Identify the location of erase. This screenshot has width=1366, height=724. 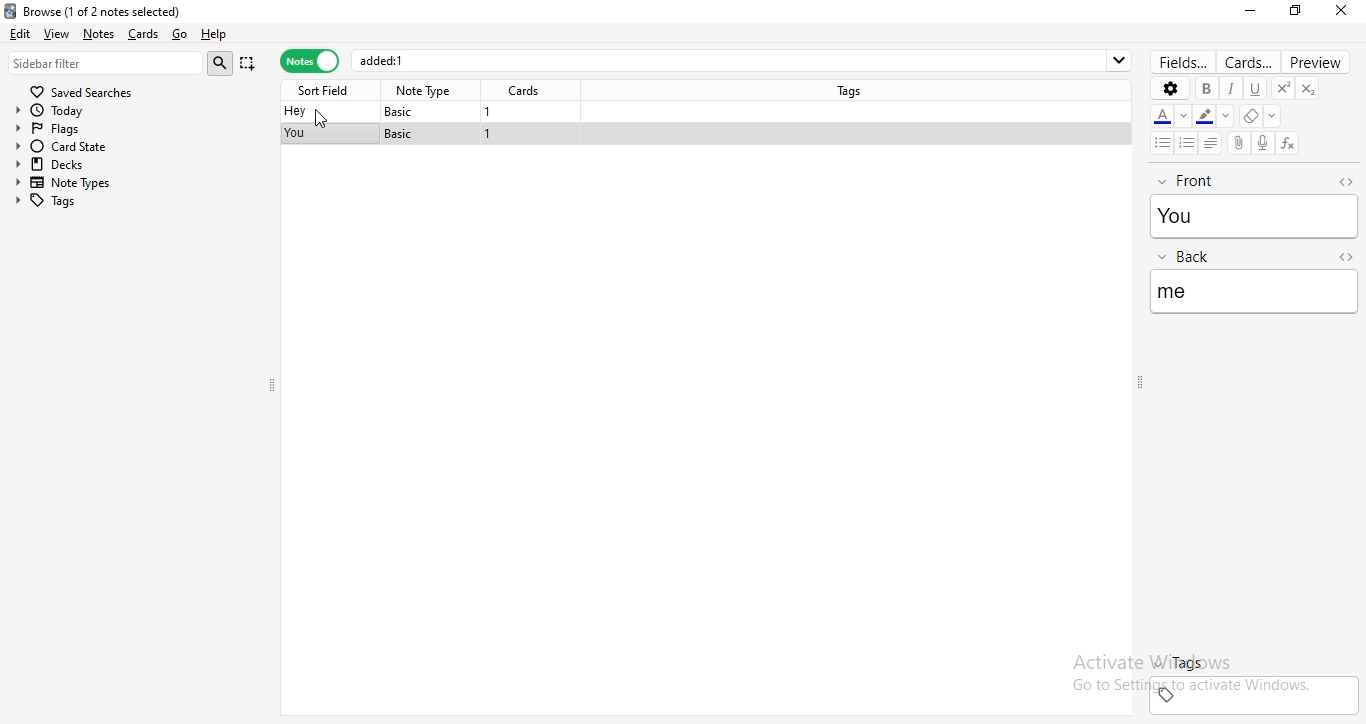
(1261, 116).